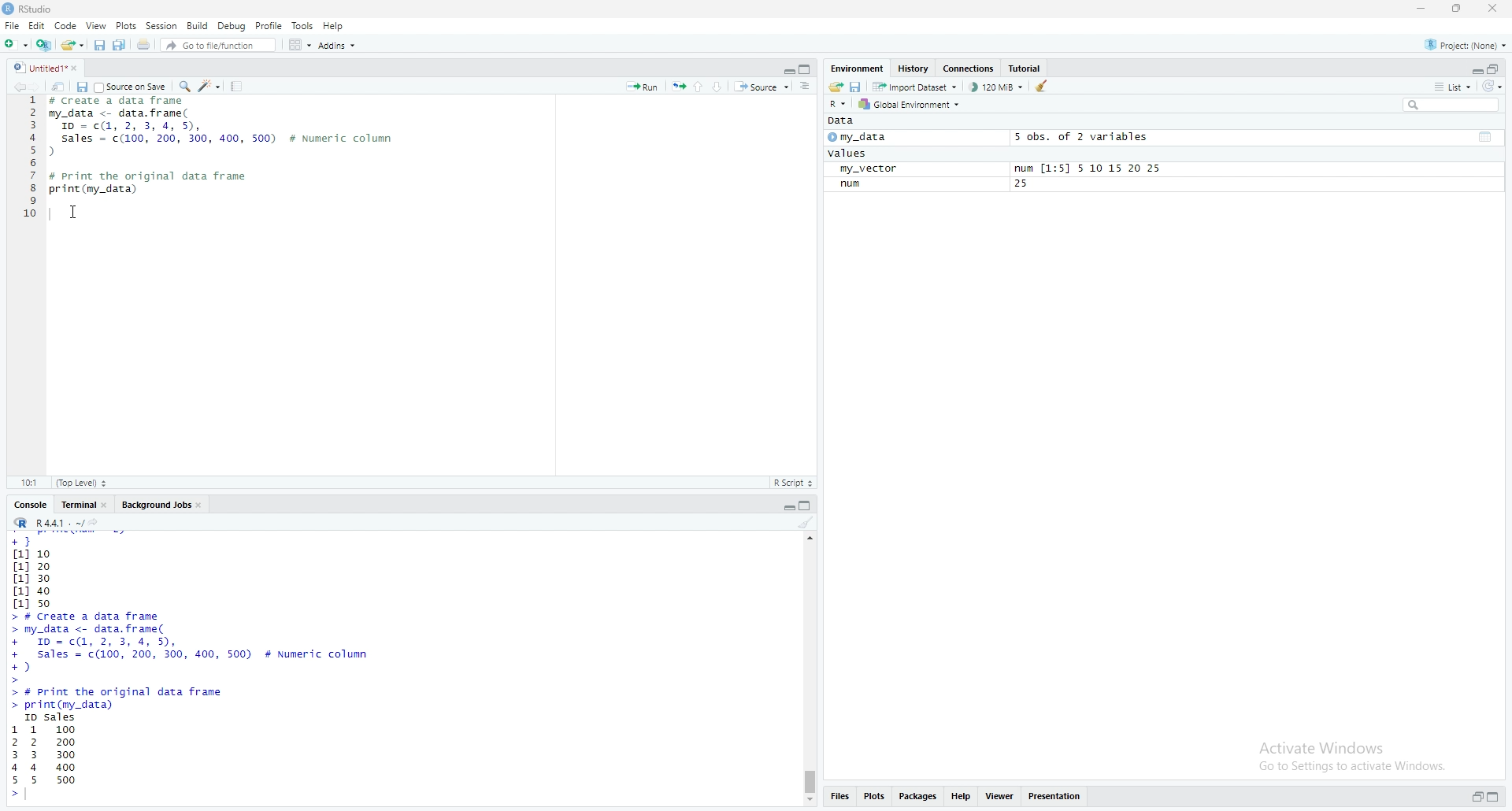  I want to click on terminal, so click(76, 505).